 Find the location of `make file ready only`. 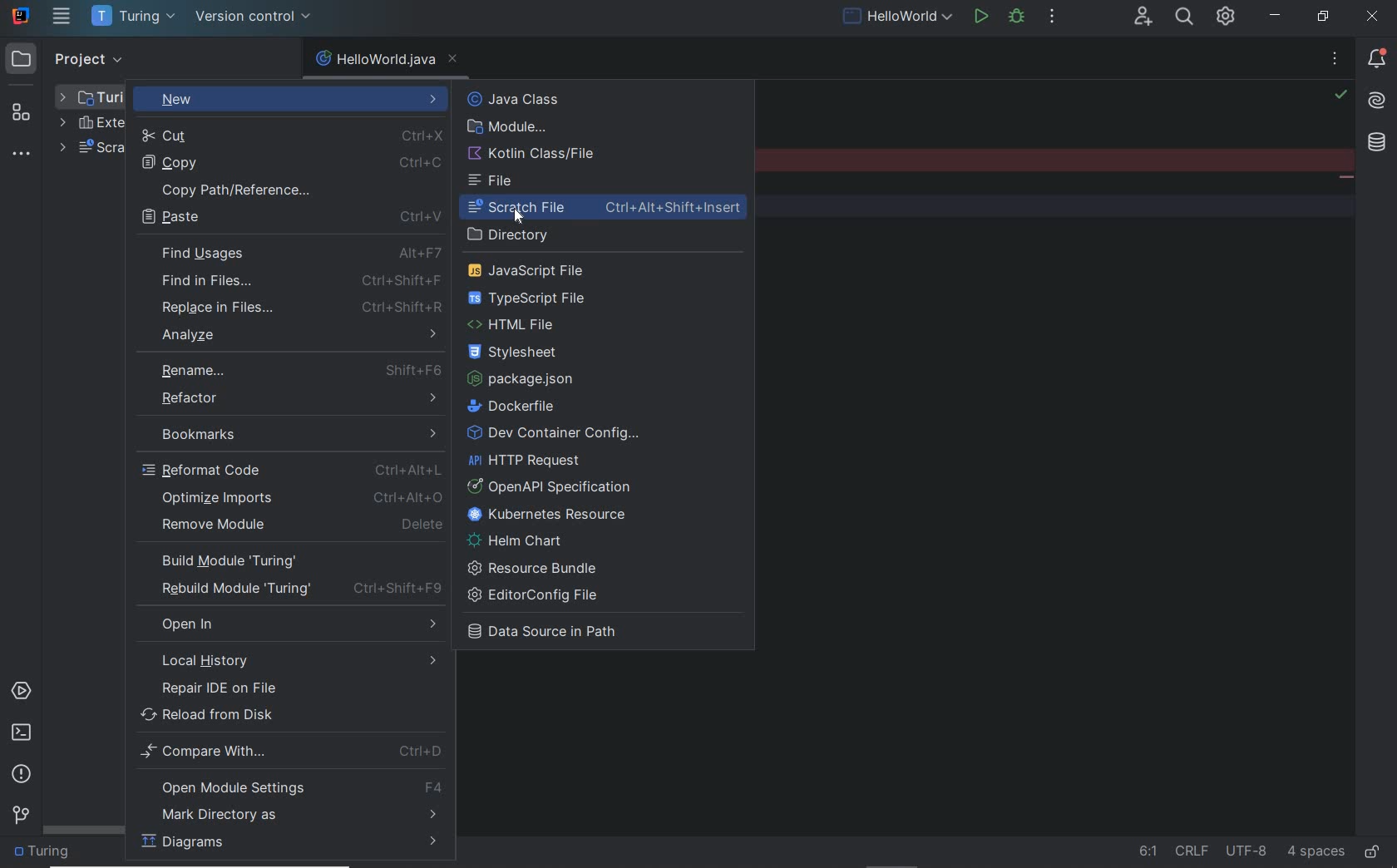

make file ready only is located at coordinates (1371, 852).